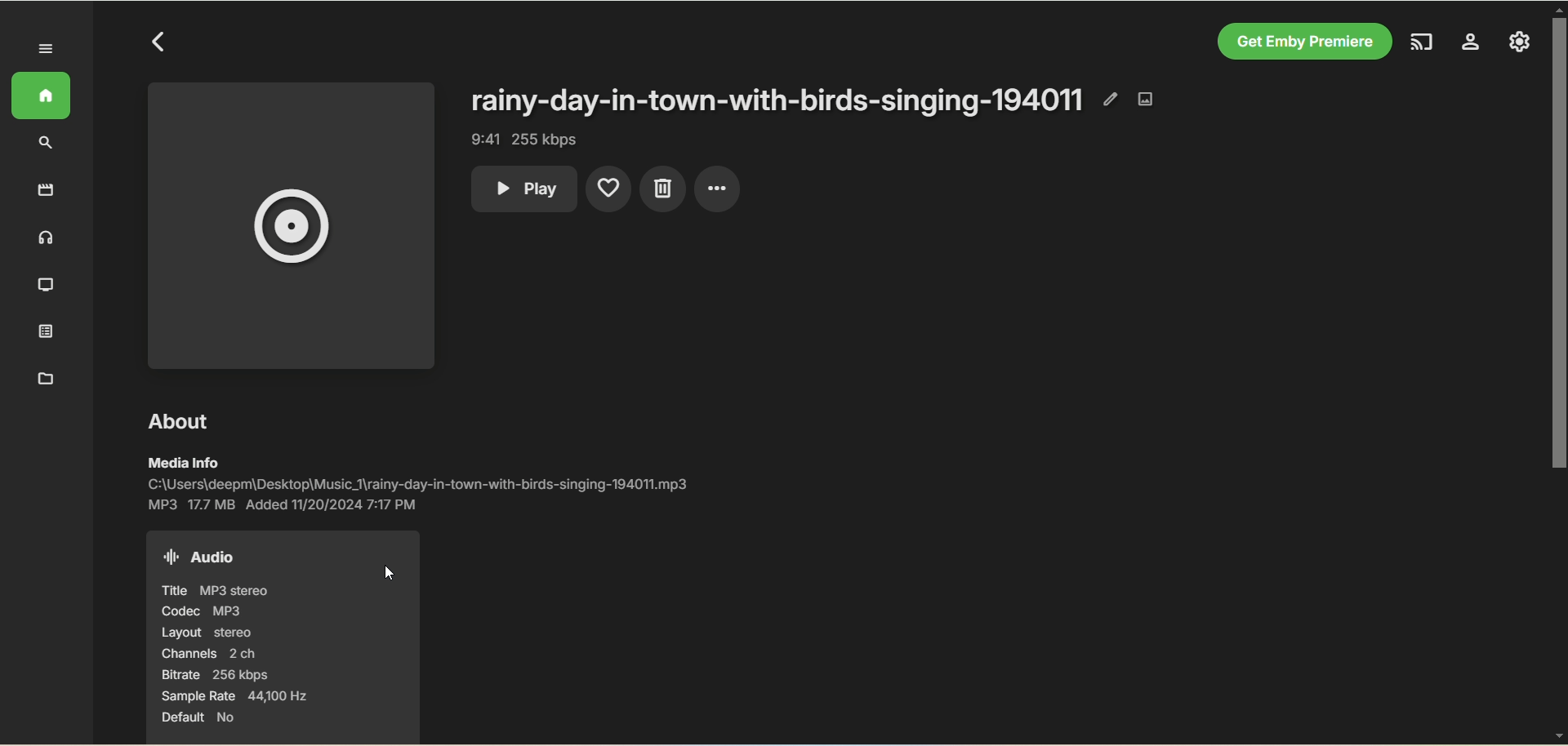 Image resolution: width=1568 pixels, height=746 pixels. Describe the element at coordinates (217, 674) in the screenshot. I see `bitrate 256 kbps` at that location.